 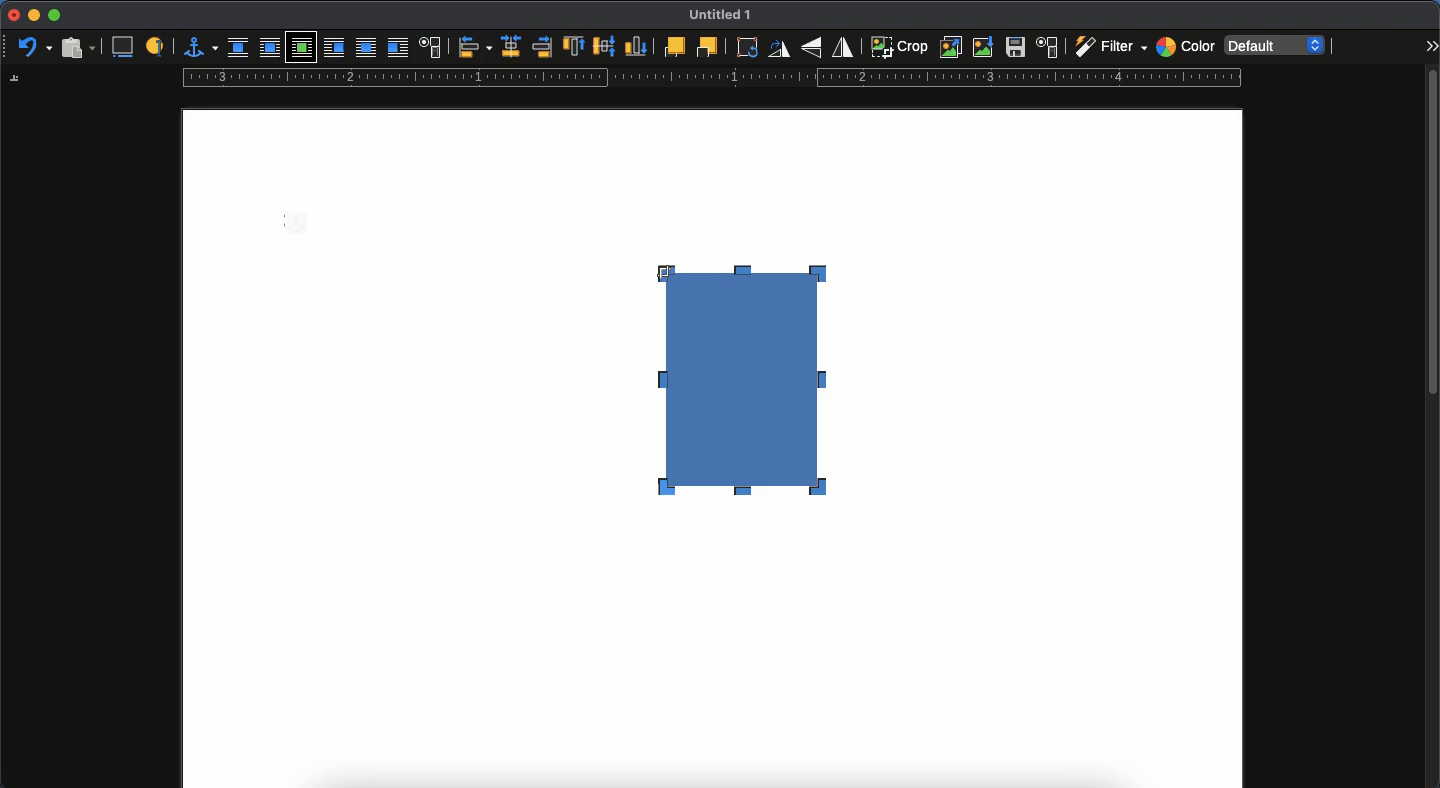 What do you see at coordinates (475, 47) in the screenshot?
I see `align objects` at bounding box center [475, 47].